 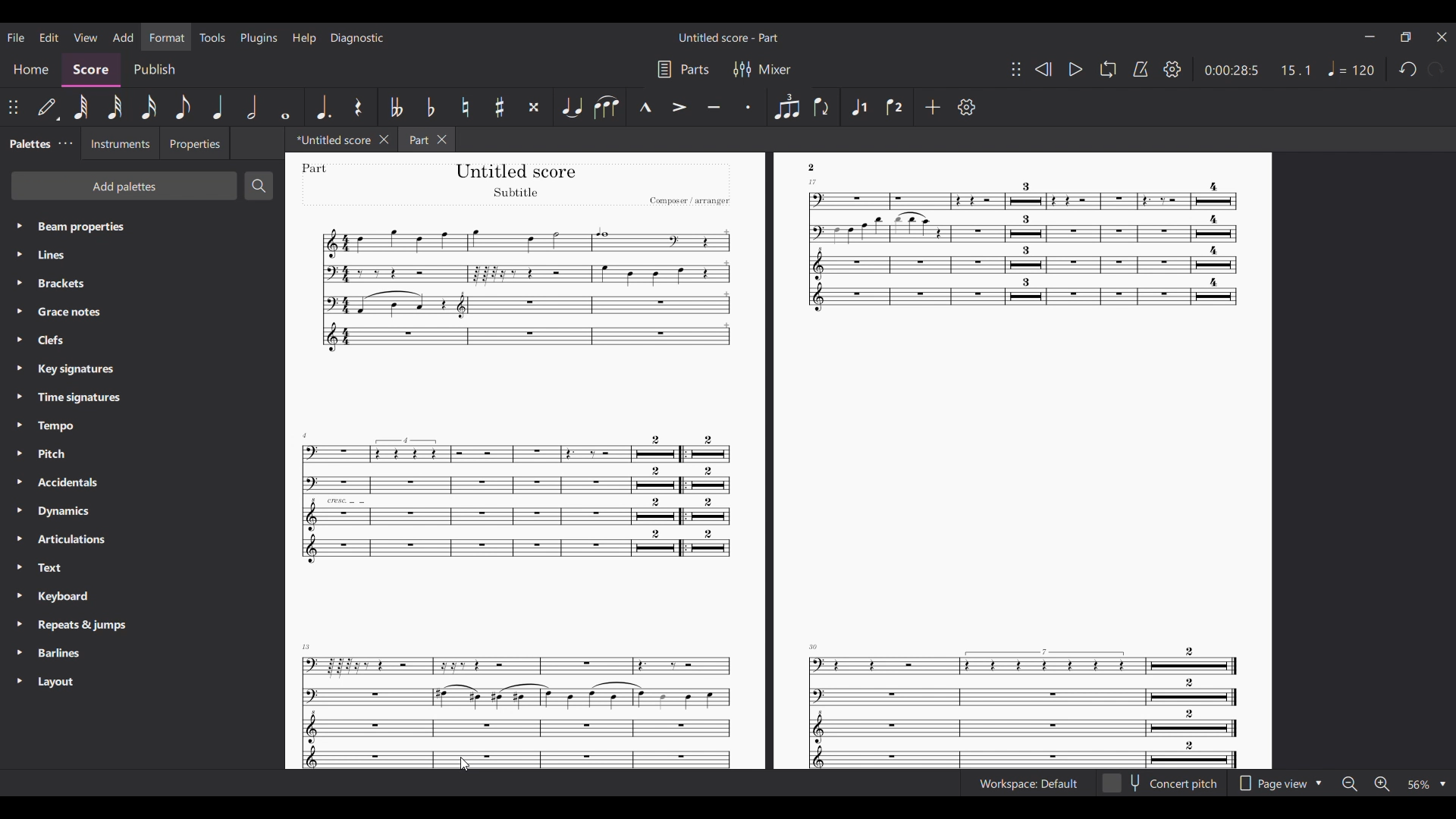 I want to click on Toggle sharp, so click(x=500, y=107).